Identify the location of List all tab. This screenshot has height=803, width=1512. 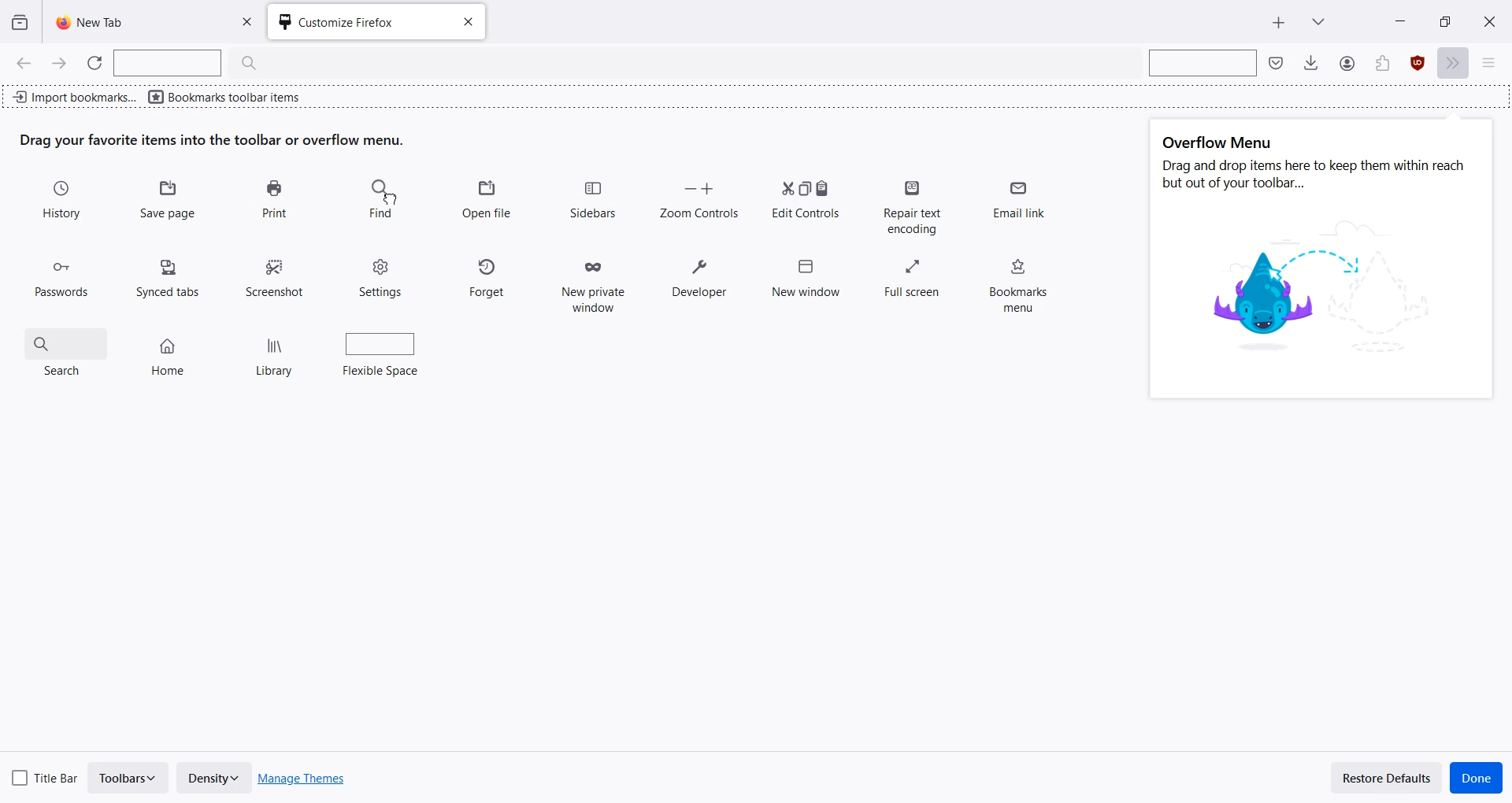
(1318, 20).